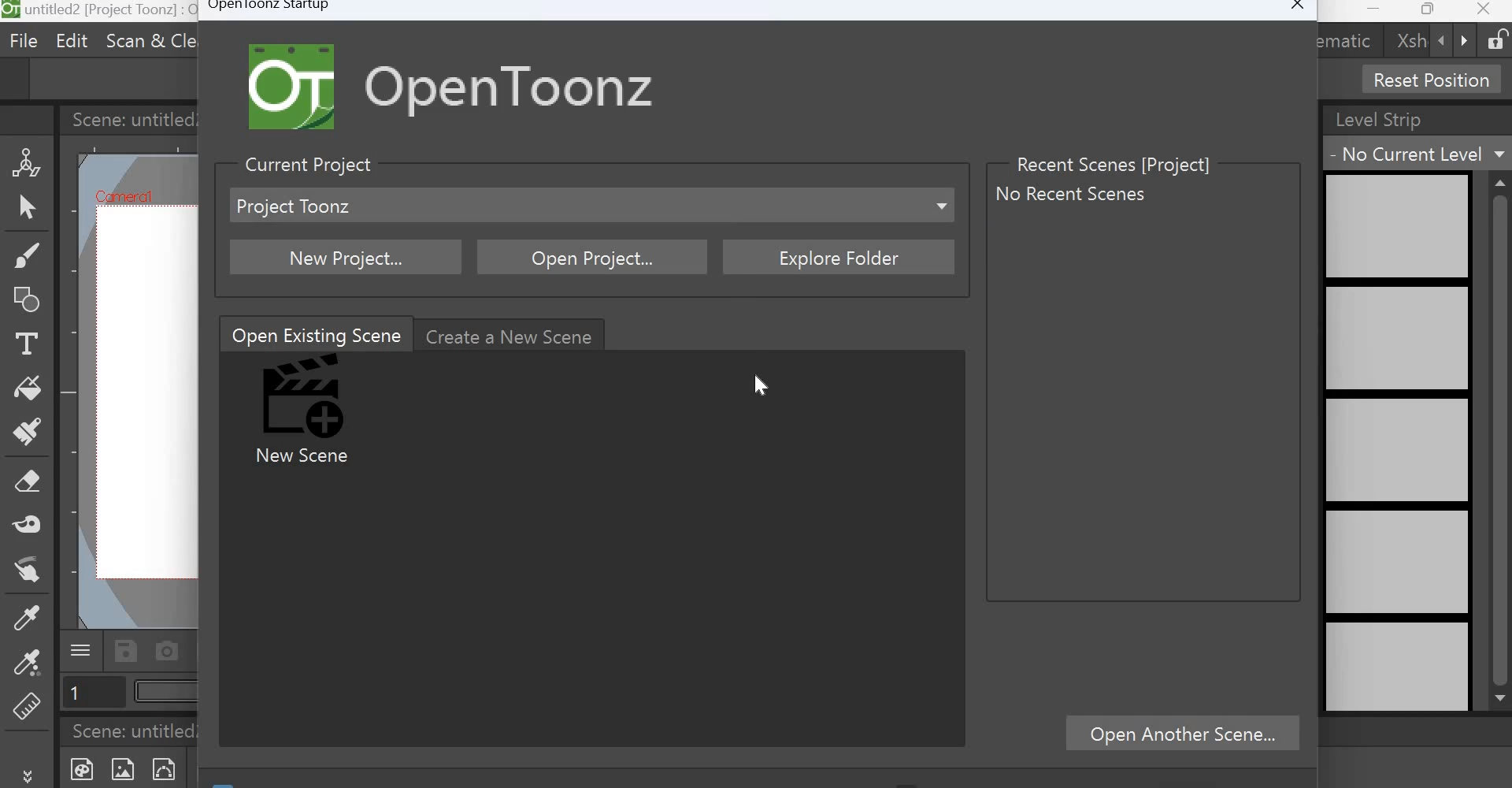  I want to click on RGB picker tool, so click(26, 667).